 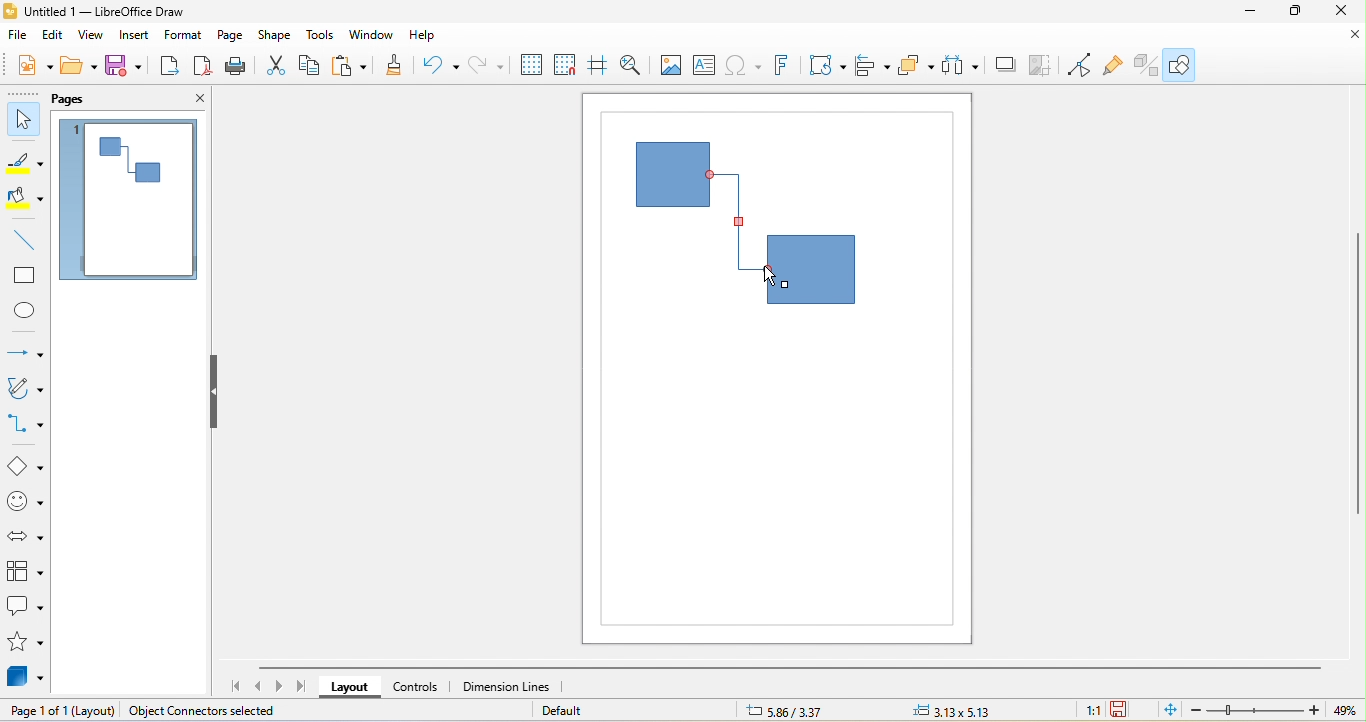 What do you see at coordinates (25, 198) in the screenshot?
I see `fill color` at bounding box center [25, 198].